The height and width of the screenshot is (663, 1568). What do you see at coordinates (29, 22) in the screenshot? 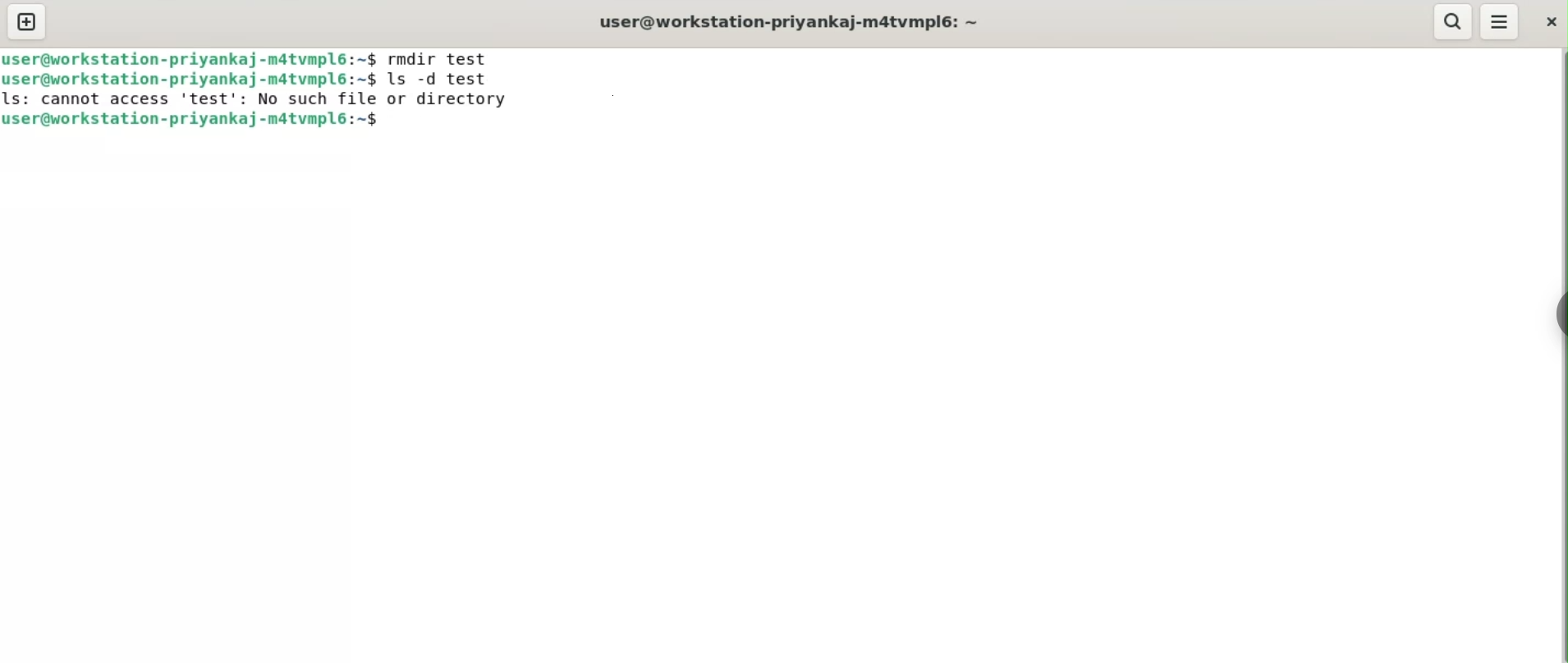
I see `new tab` at bounding box center [29, 22].